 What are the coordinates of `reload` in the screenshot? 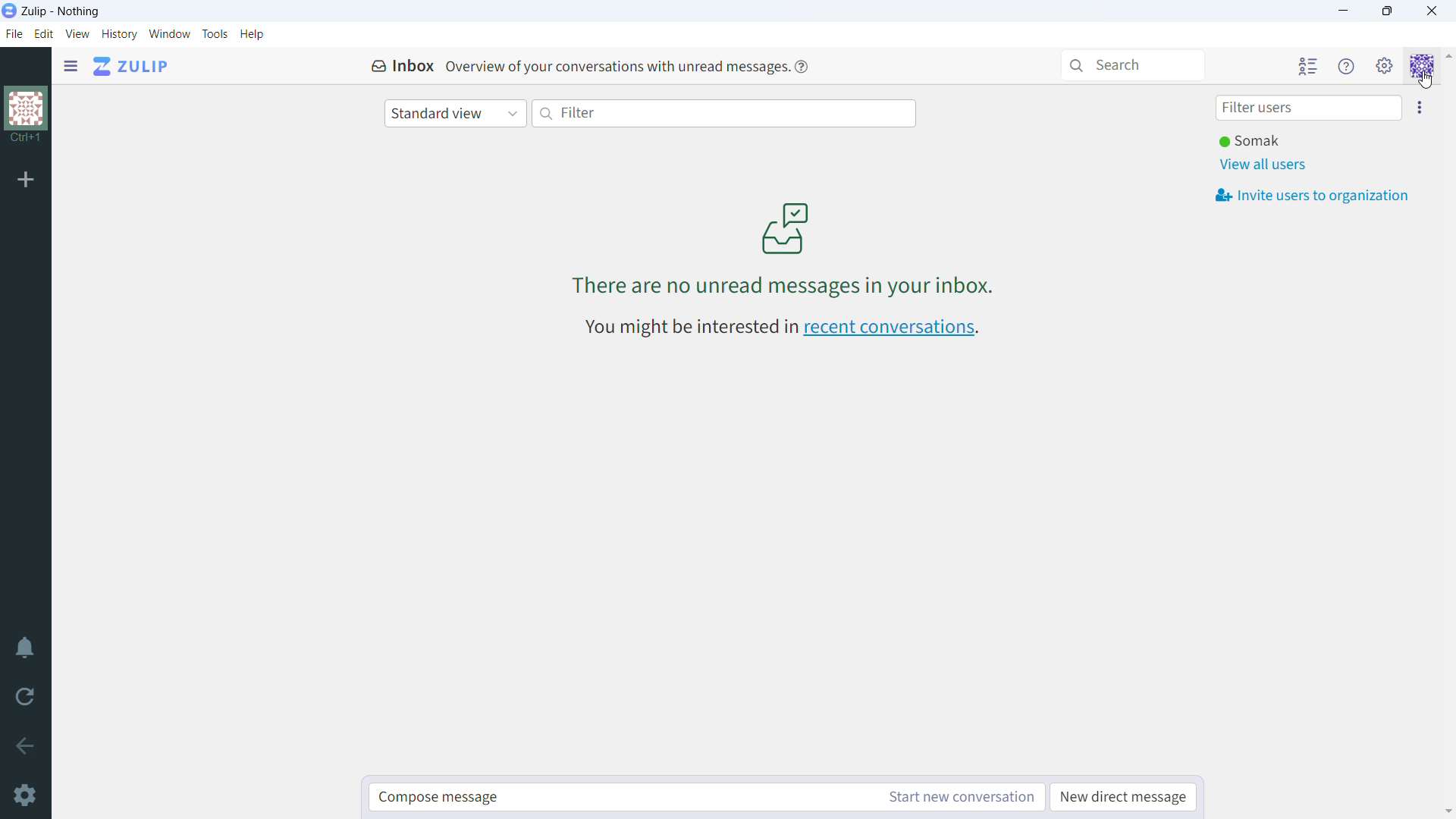 It's located at (23, 700).